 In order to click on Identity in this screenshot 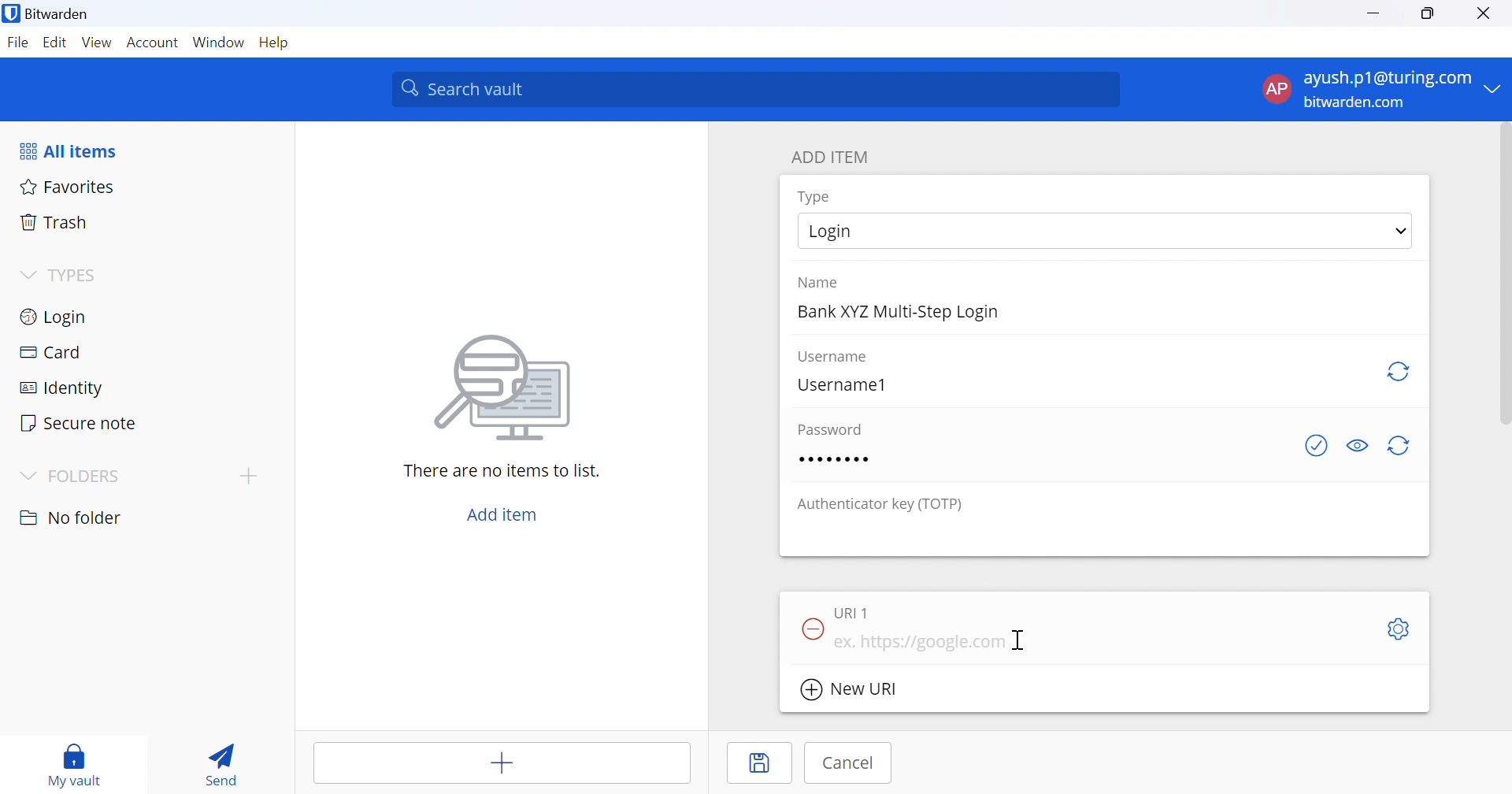, I will do `click(62, 388)`.